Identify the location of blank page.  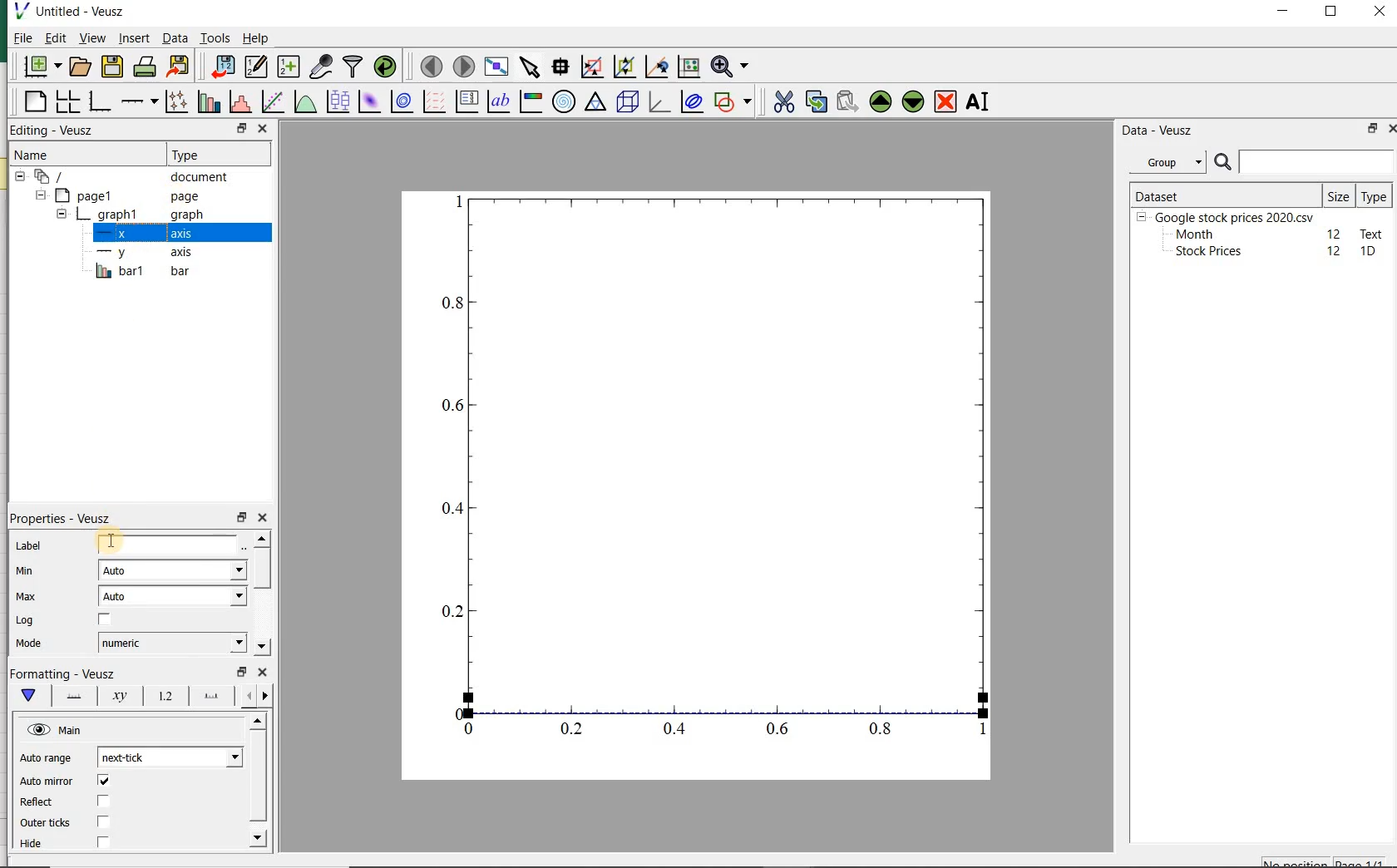
(34, 104).